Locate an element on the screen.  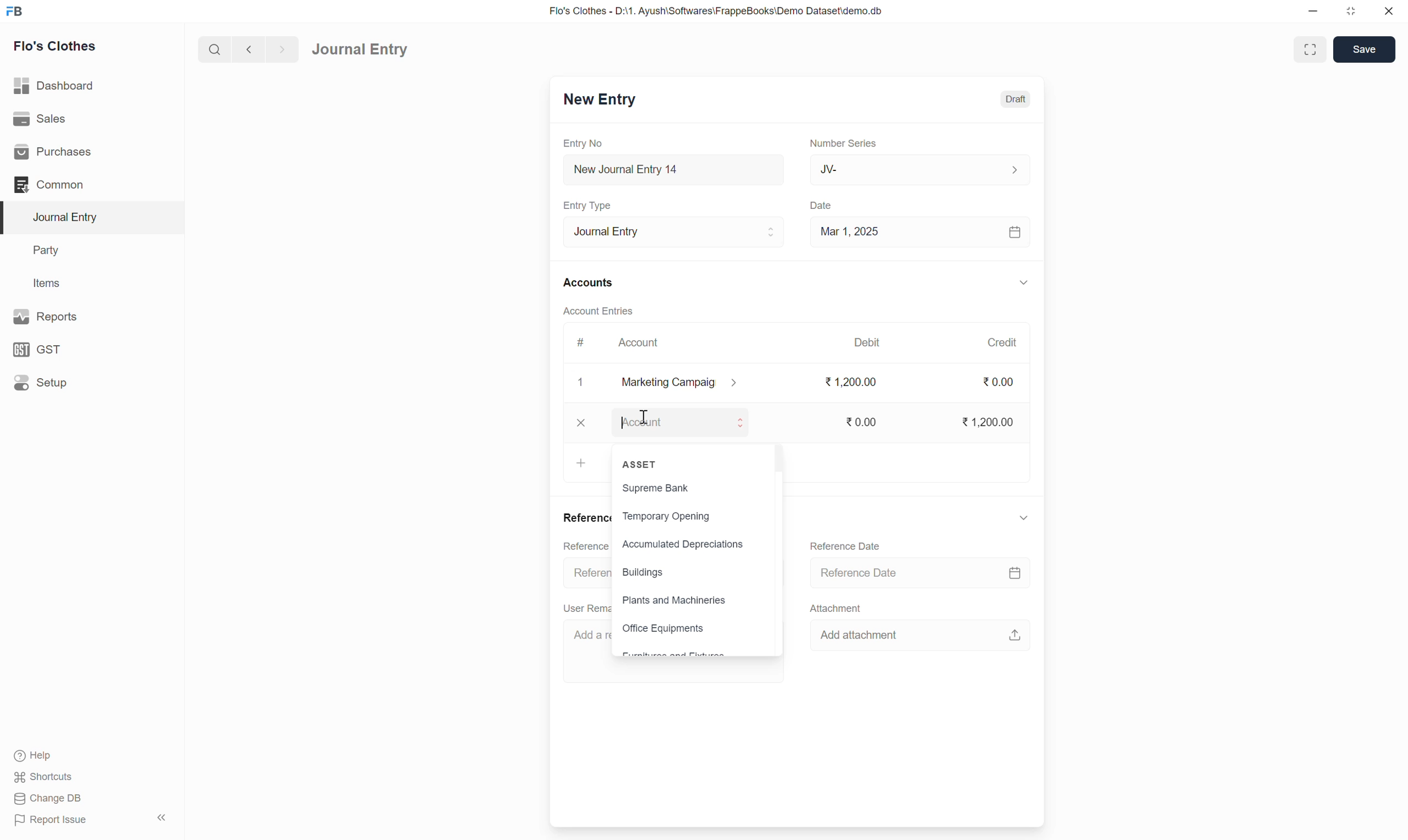
User Rem: is located at coordinates (584, 607).